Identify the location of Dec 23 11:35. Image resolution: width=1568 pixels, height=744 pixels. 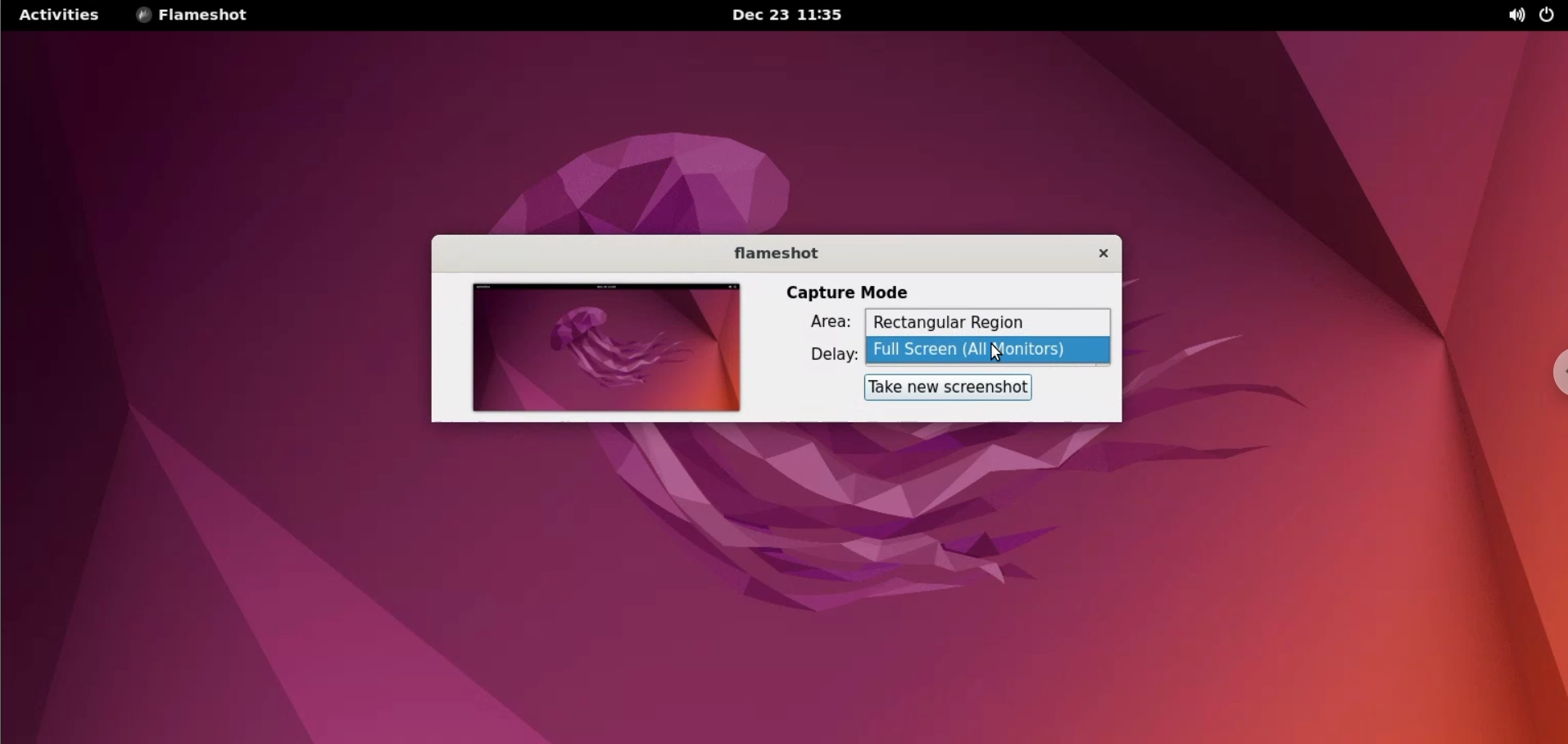
(797, 15).